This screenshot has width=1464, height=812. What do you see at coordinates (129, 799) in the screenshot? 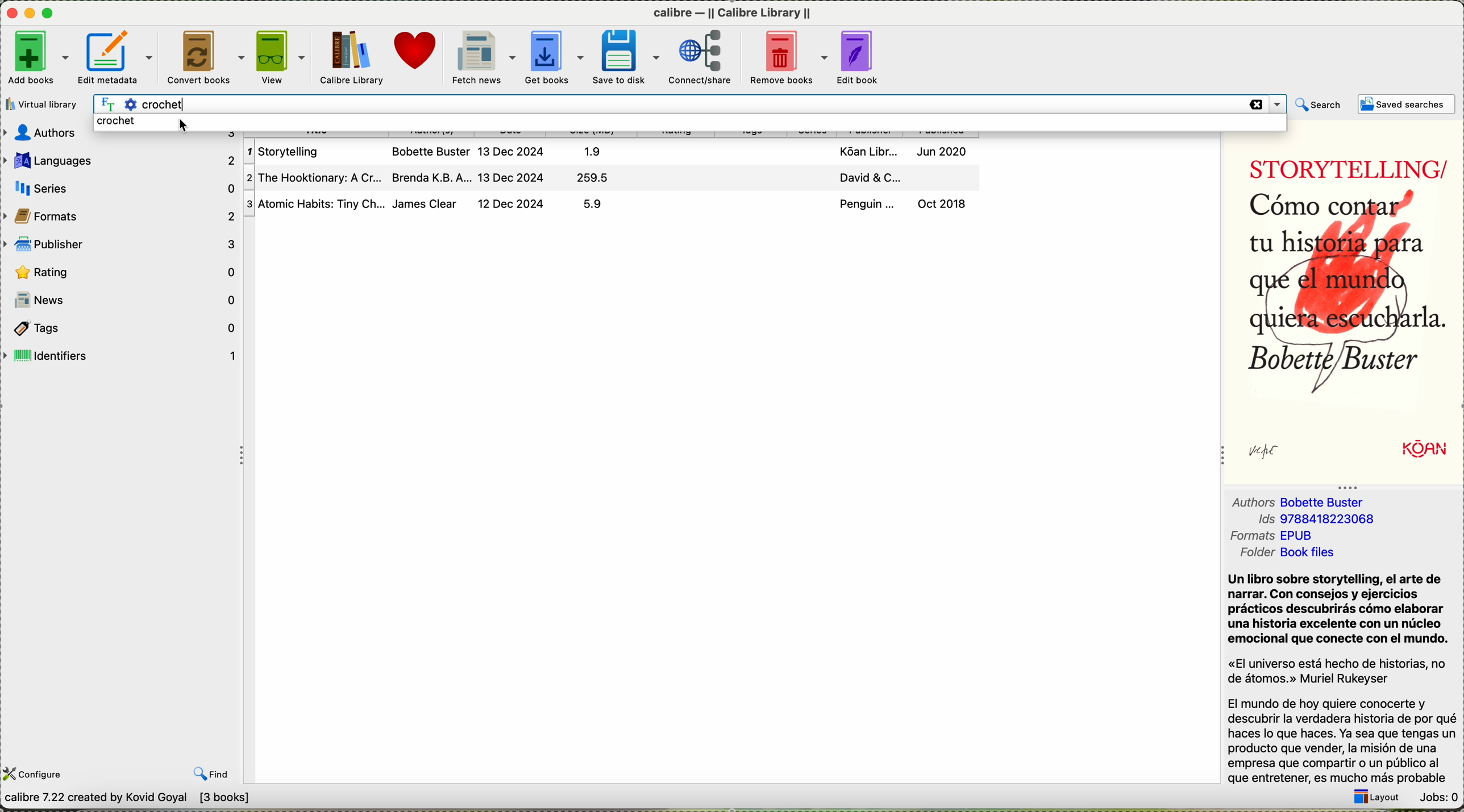
I see `calibre 7.22 created by Kovid Goyal [3 books]` at bounding box center [129, 799].